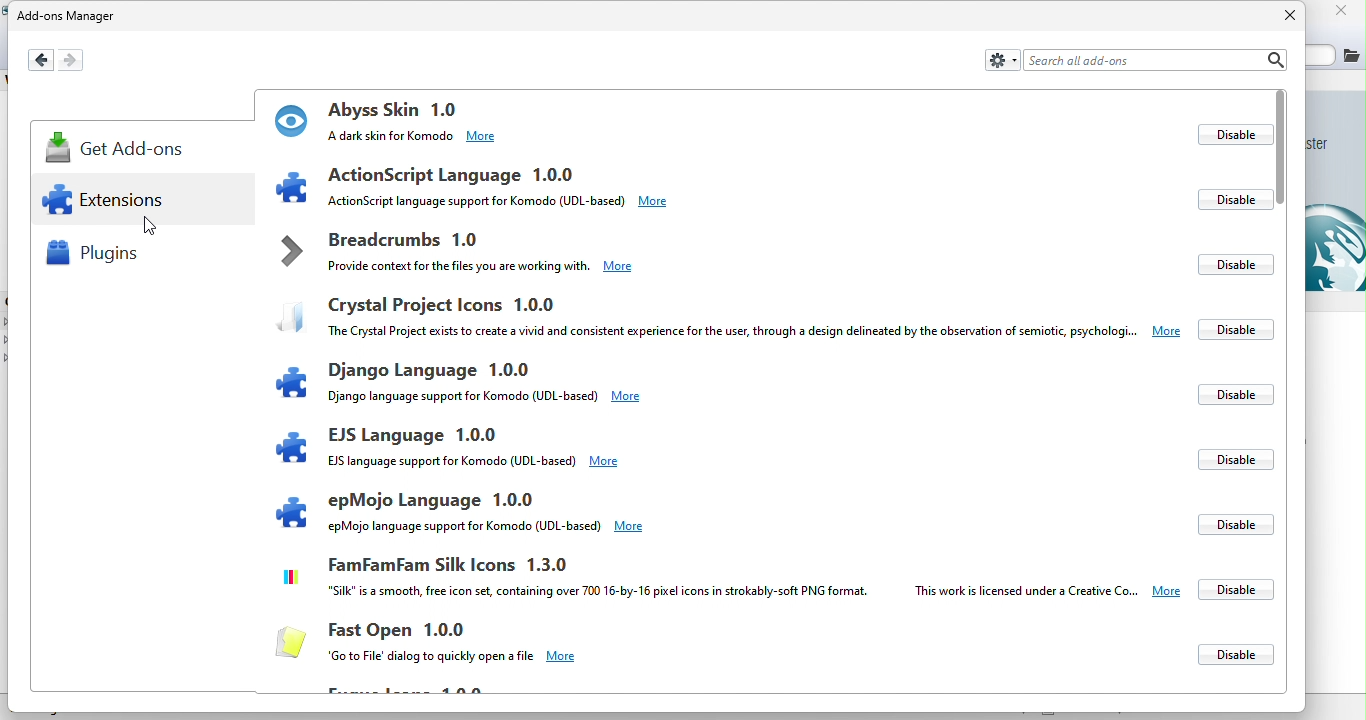 The image size is (1366, 720). What do you see at coordinates (725, 314) in the screenshot?
I see `crystal project icons 1.0.0` at bounding box center [725, 314].